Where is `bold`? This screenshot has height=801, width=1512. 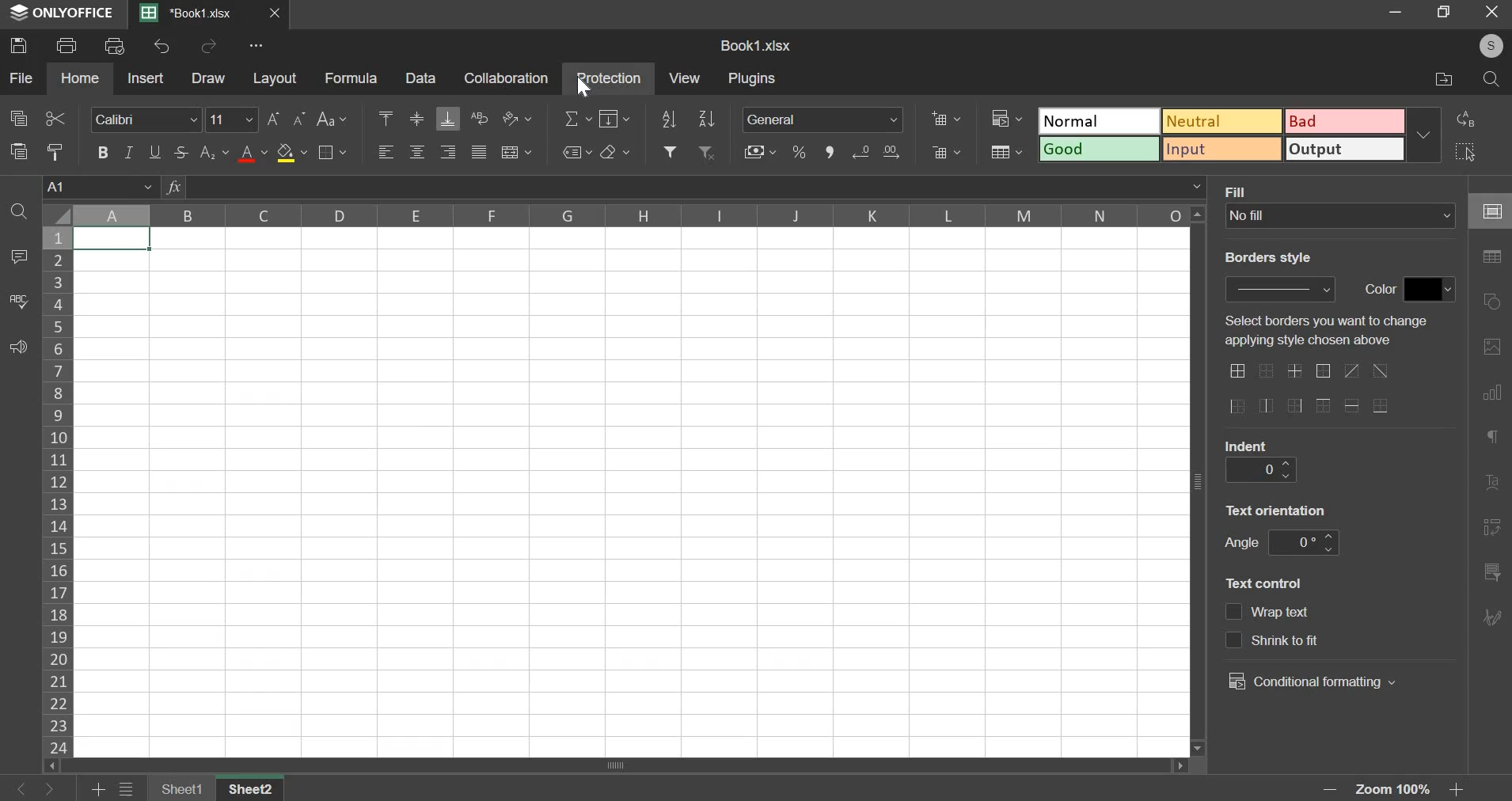
bold is located at coordinates (103, 152).